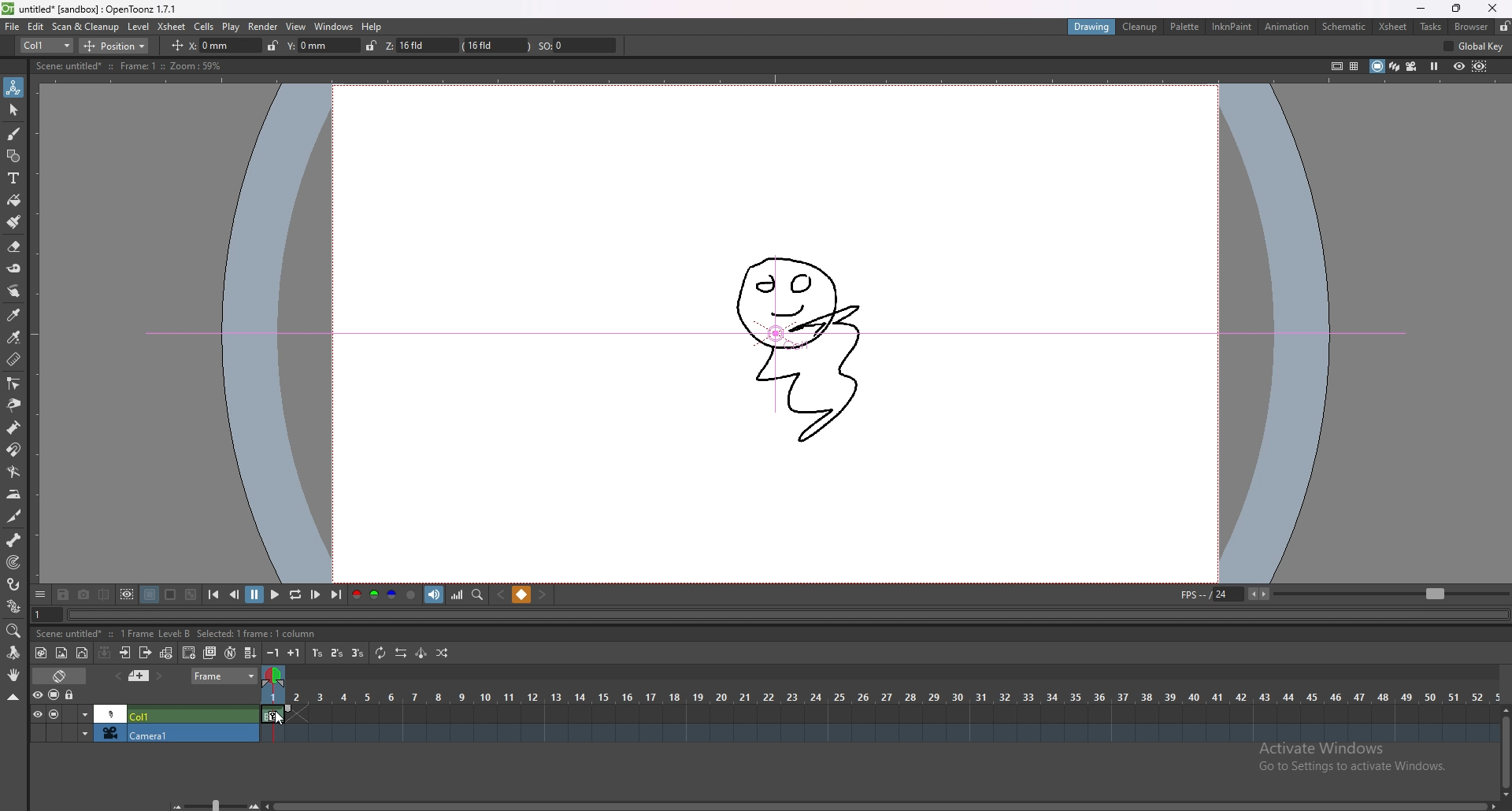 This screenshot has width=1512, height=811. Describe the element at coordinates (13, 428) in the screenshot. I see `pump` at that location.